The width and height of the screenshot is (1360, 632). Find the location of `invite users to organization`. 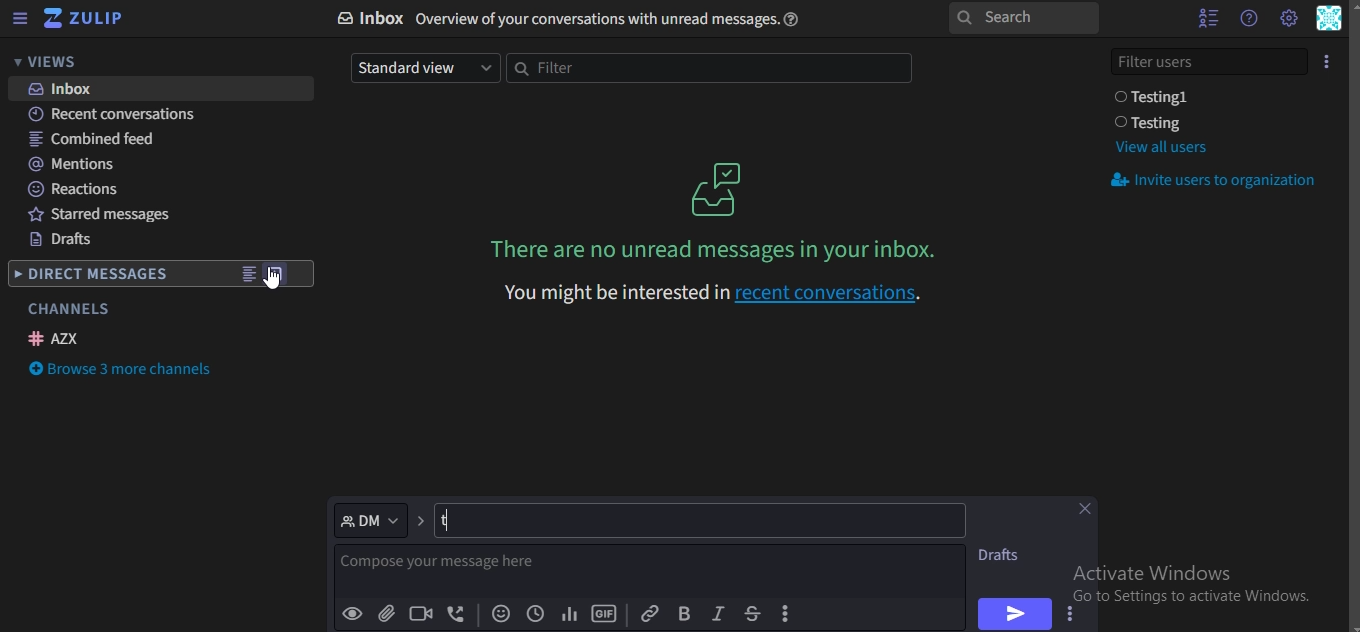

invite users to organization is located at coordinates (1217, 182).